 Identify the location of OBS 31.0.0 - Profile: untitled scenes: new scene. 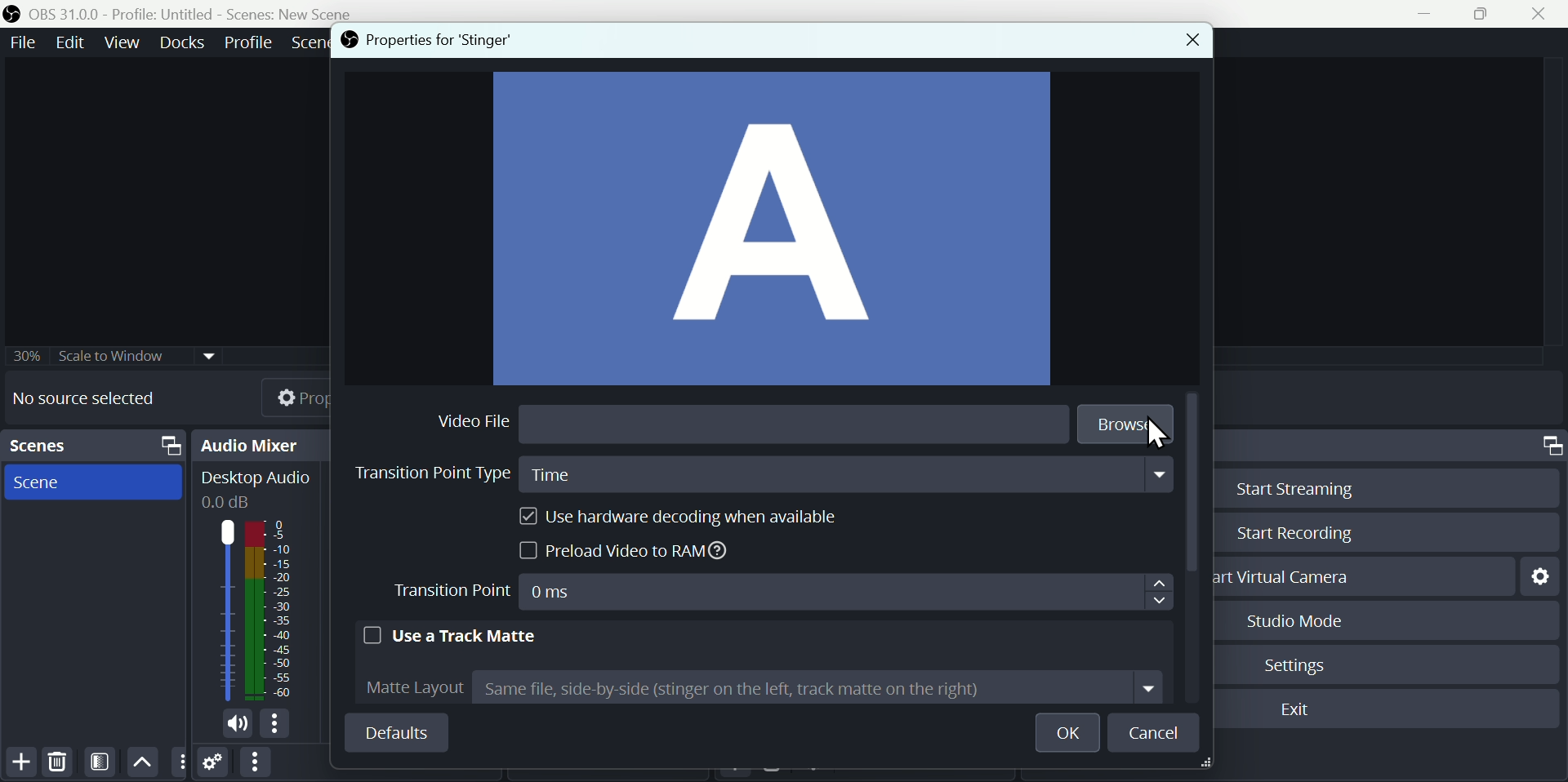
(185, 13).